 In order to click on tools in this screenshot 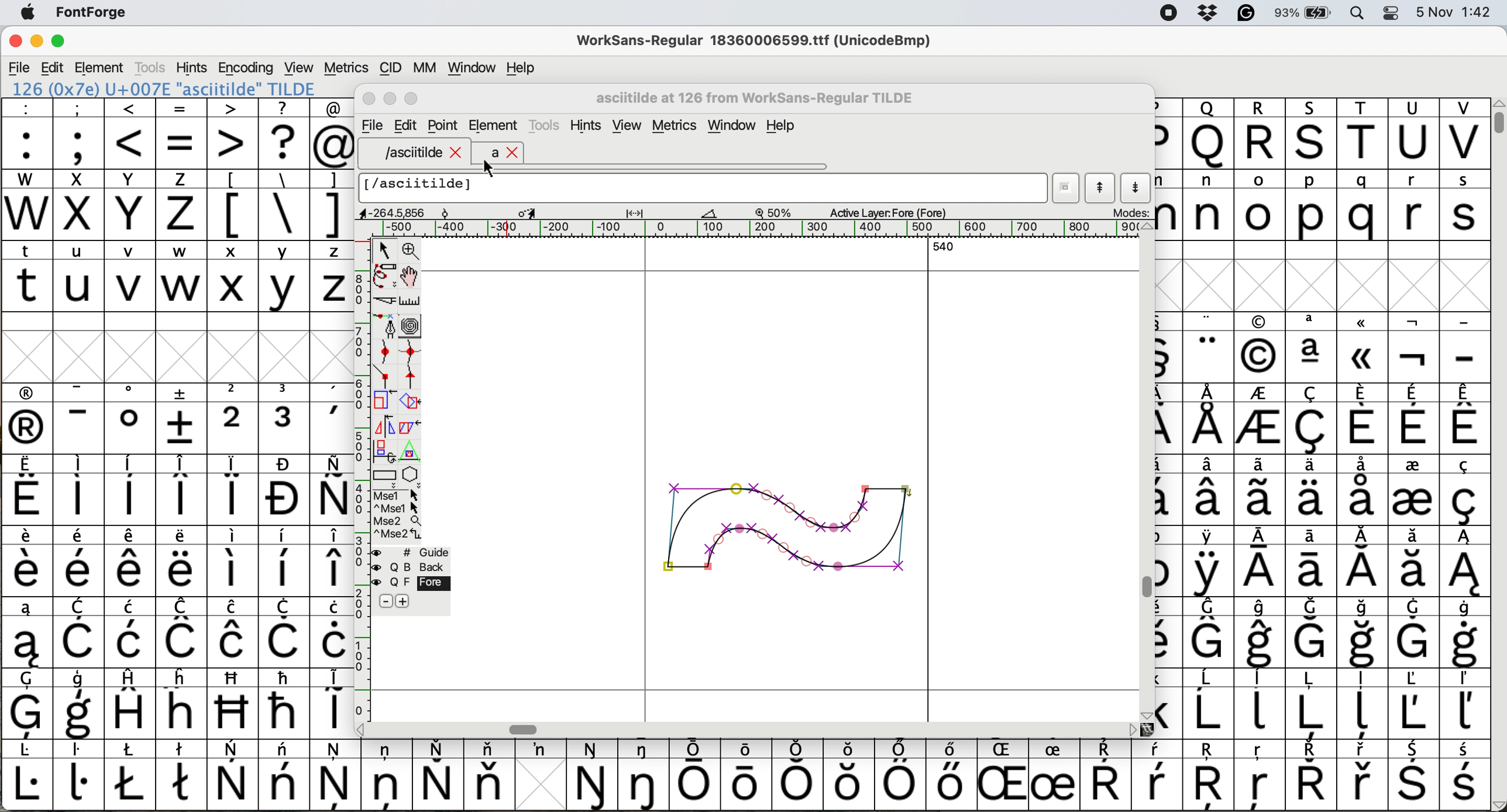, I will do `click(546, 123)`.